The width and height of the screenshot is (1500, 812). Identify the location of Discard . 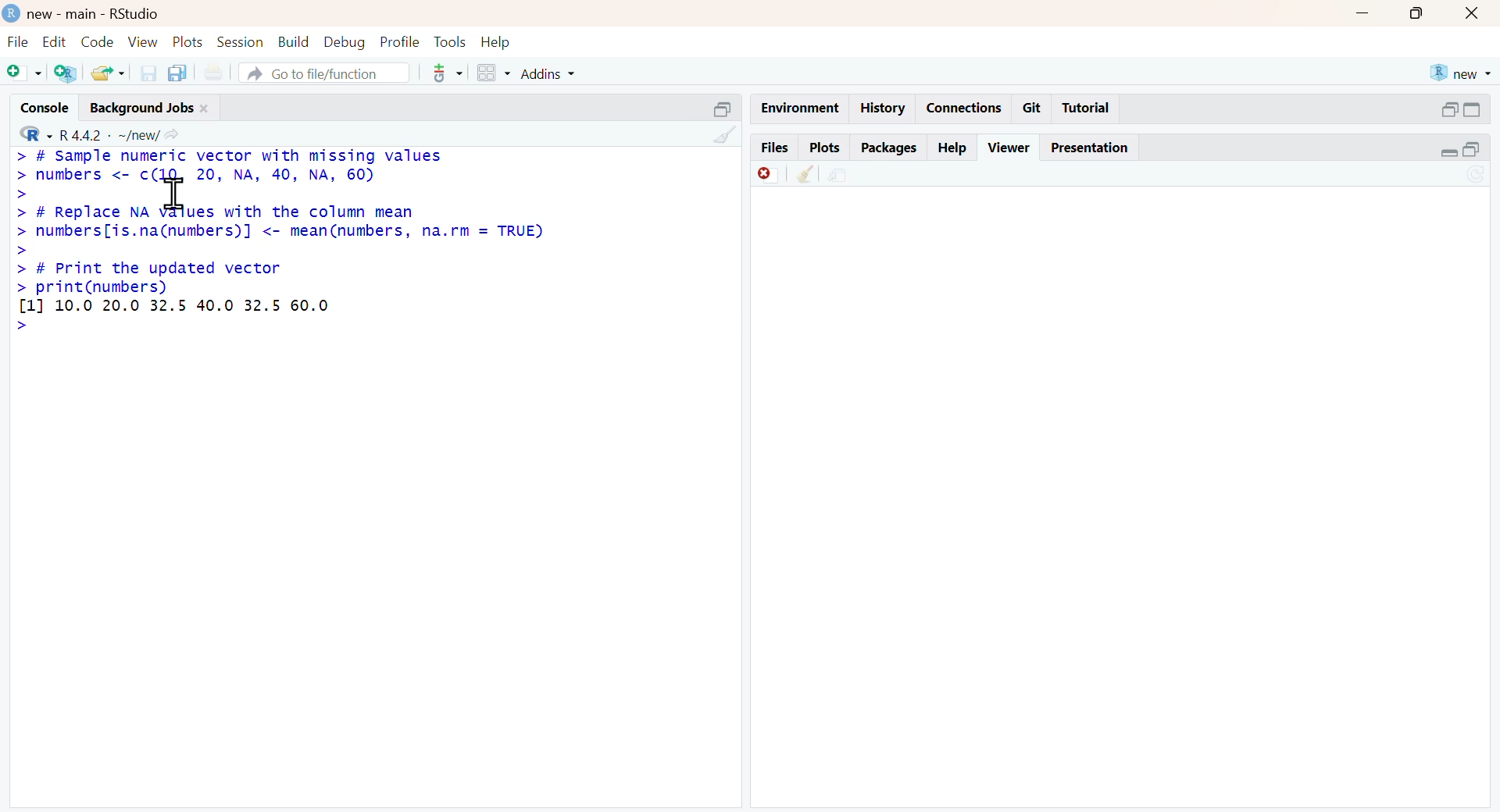
(768, 175).